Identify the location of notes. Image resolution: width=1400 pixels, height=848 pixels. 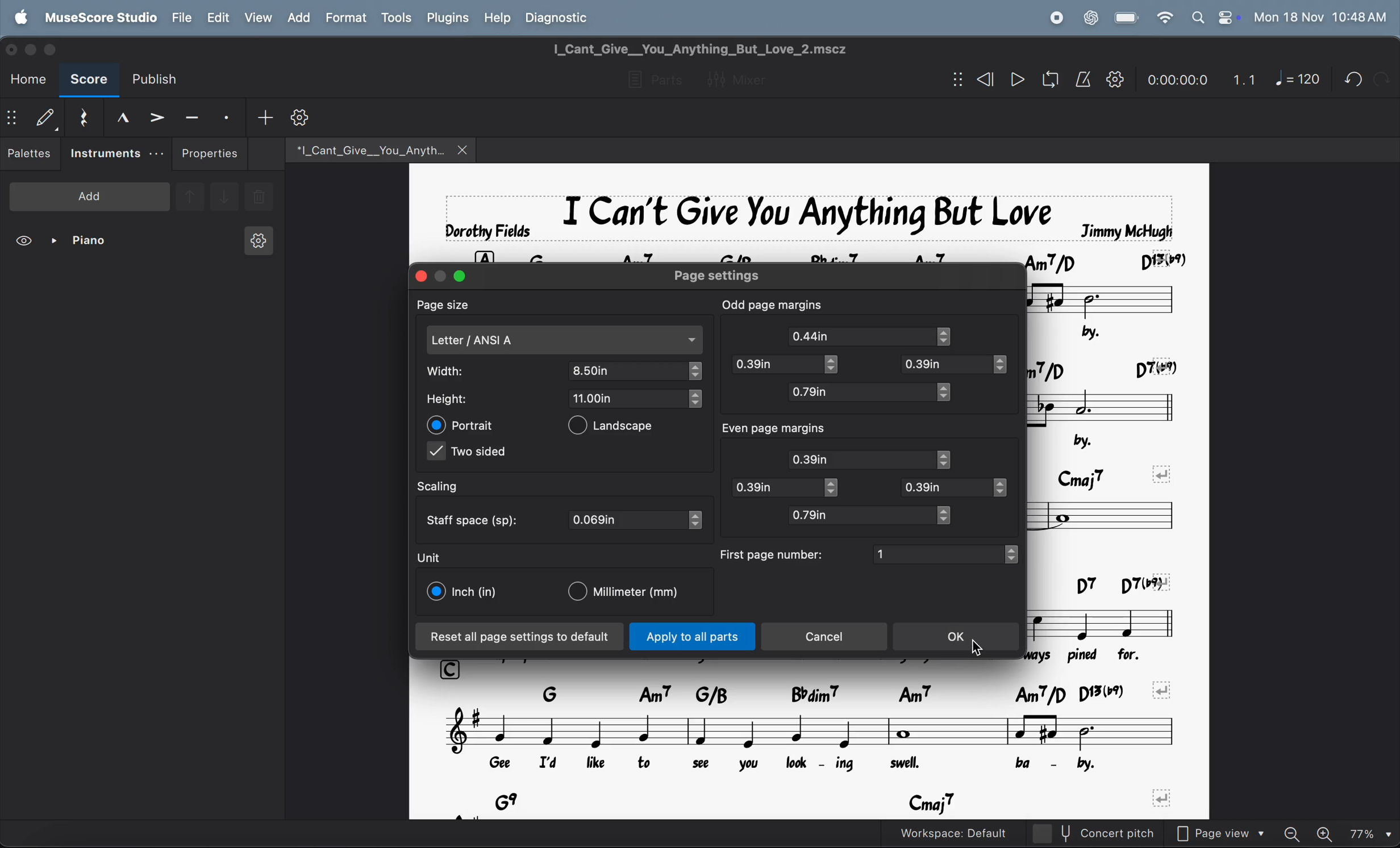
(1111, 620).